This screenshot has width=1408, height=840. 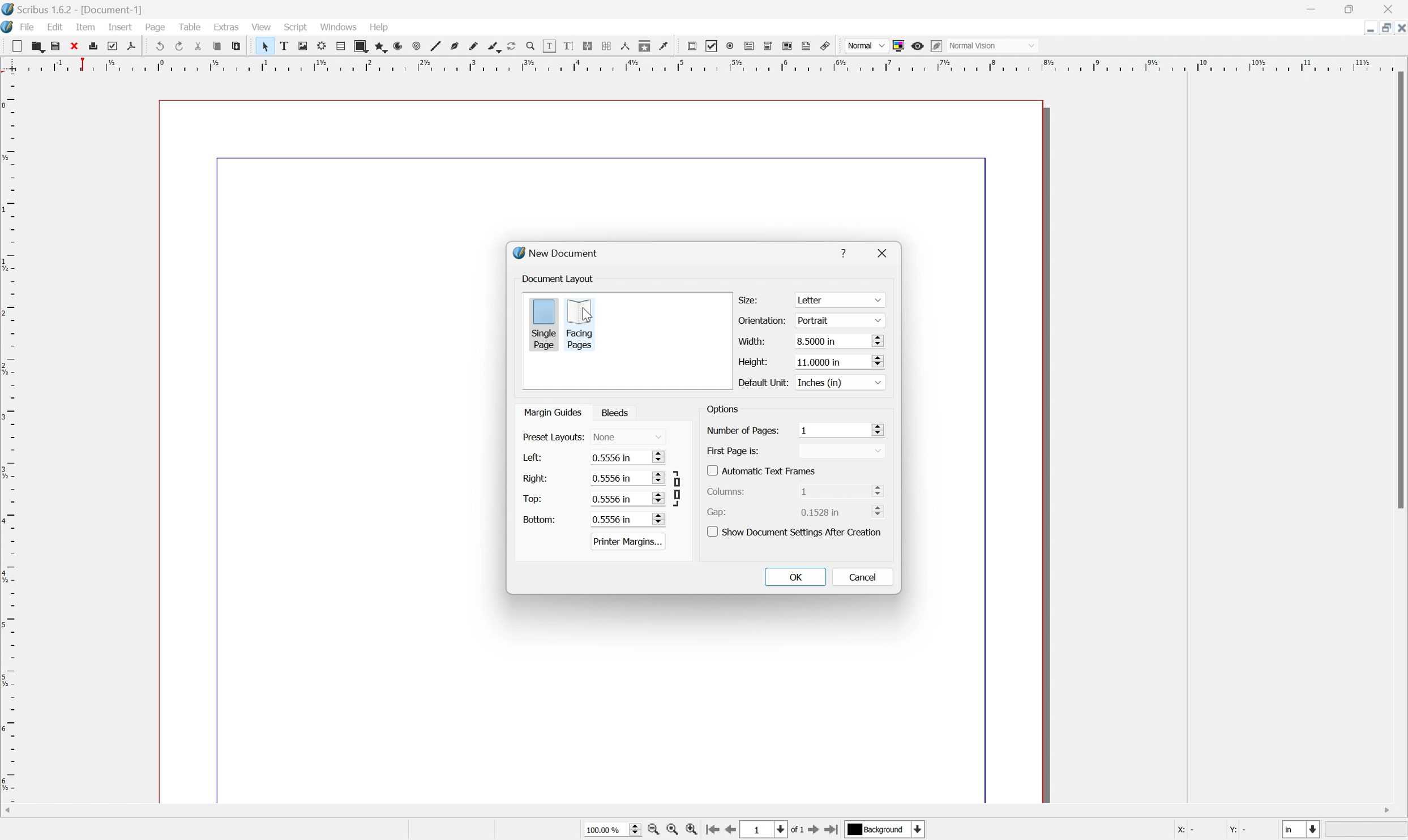 I want to click on cancel, so click(x=863, y=576).